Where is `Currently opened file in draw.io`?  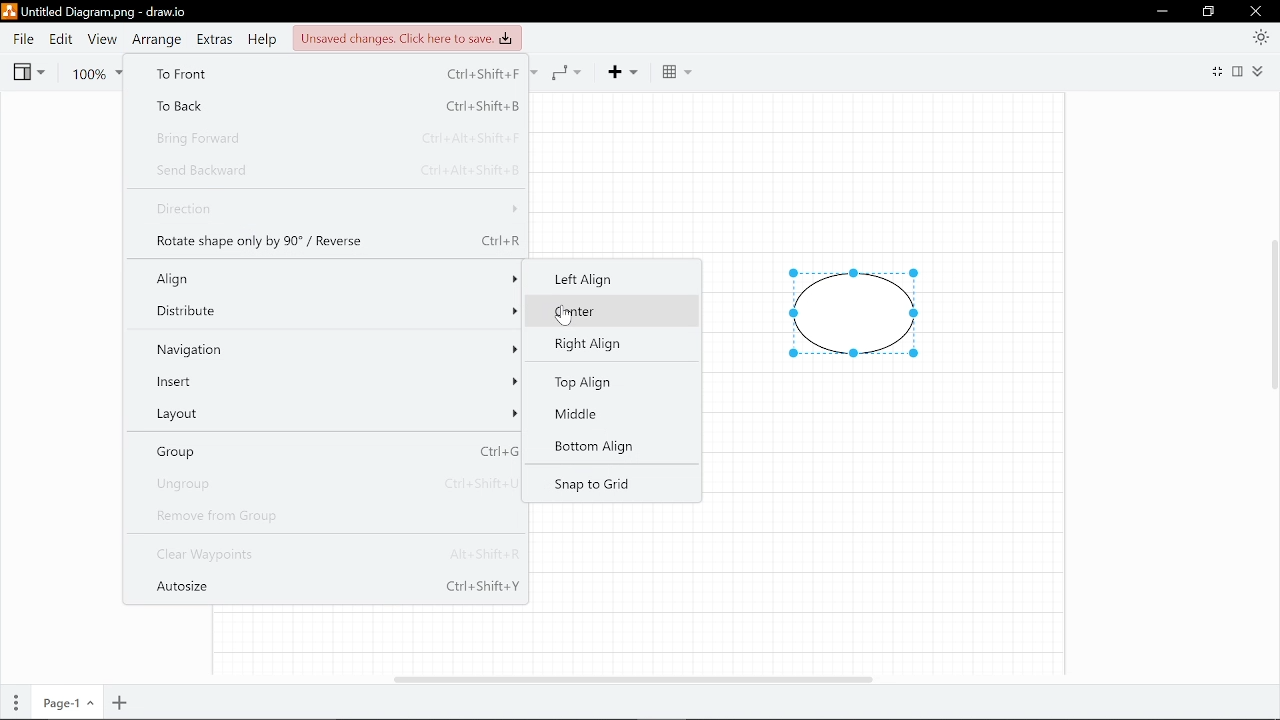
Currently opened file in draw.io is located at coordinates (98, 13).